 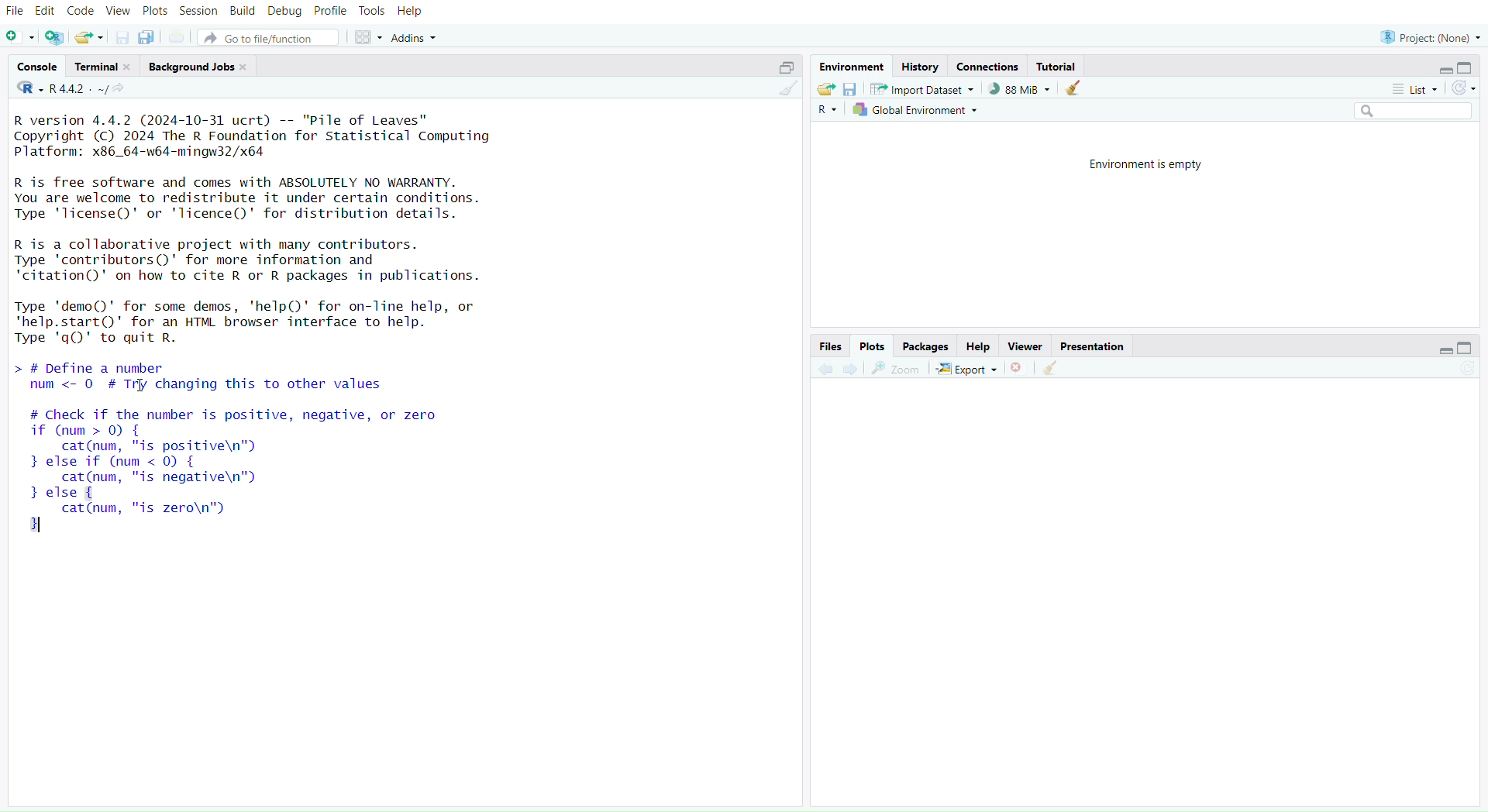 I want to click on console, so click(x=38, y=67).